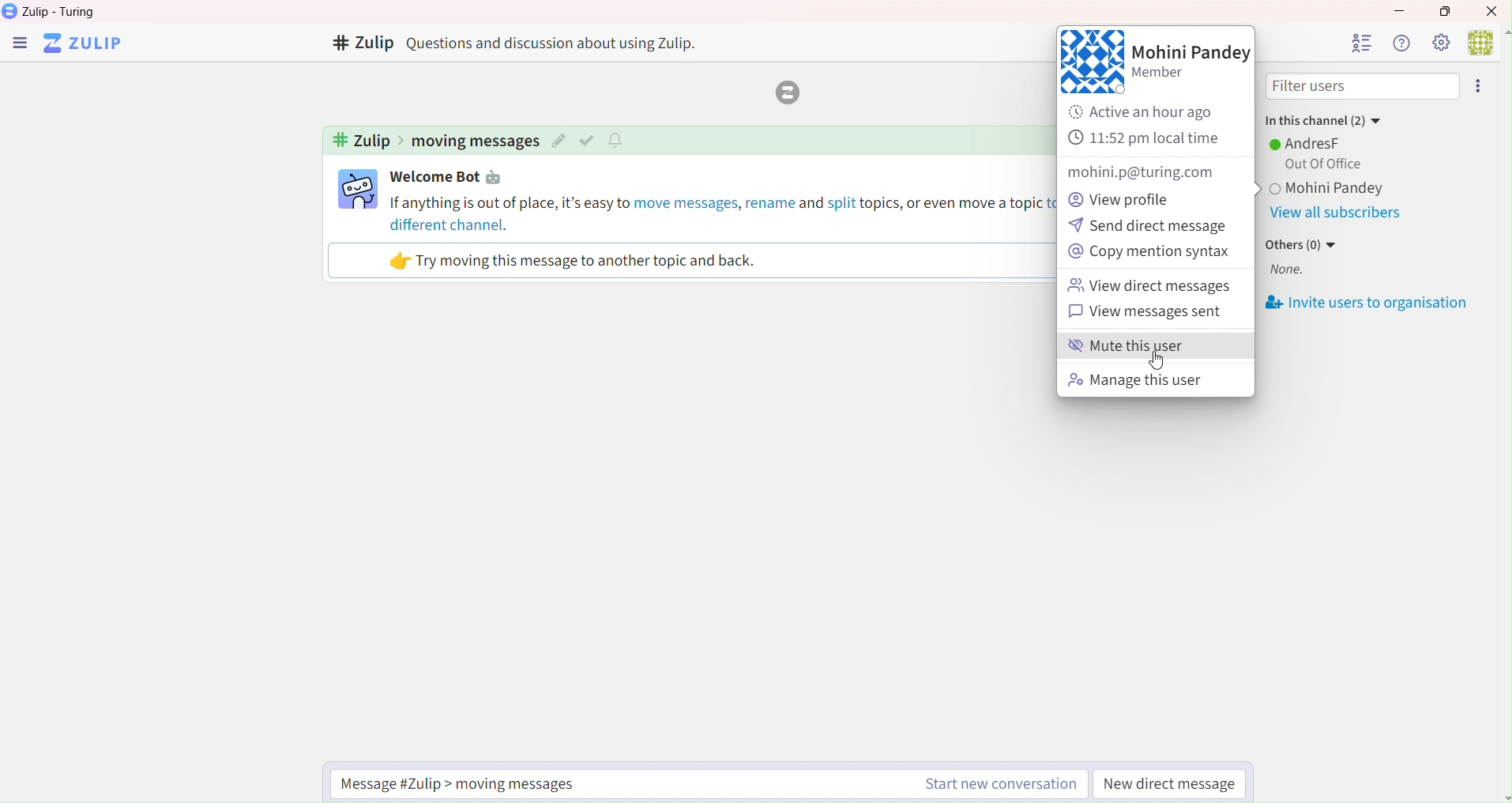 The width and height of the screenshot is (1512, 803). What do you see at coordinates (88, 44) in the screenshot?
I see `ZuLip` at bounding box center [88, 44].